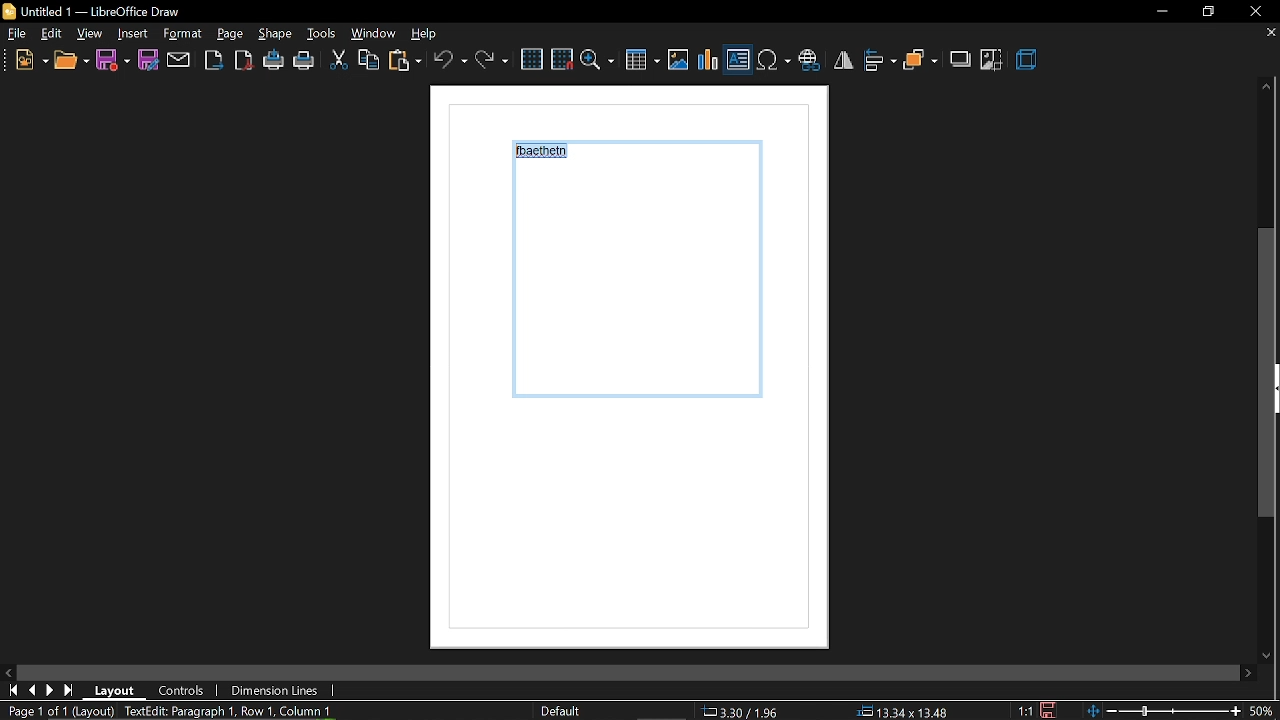 Image resolution: width=1280 pixels, height=720 pixels. Describe the element at coordinates (531, 60) in the screenshot. I see `grid` at that location.